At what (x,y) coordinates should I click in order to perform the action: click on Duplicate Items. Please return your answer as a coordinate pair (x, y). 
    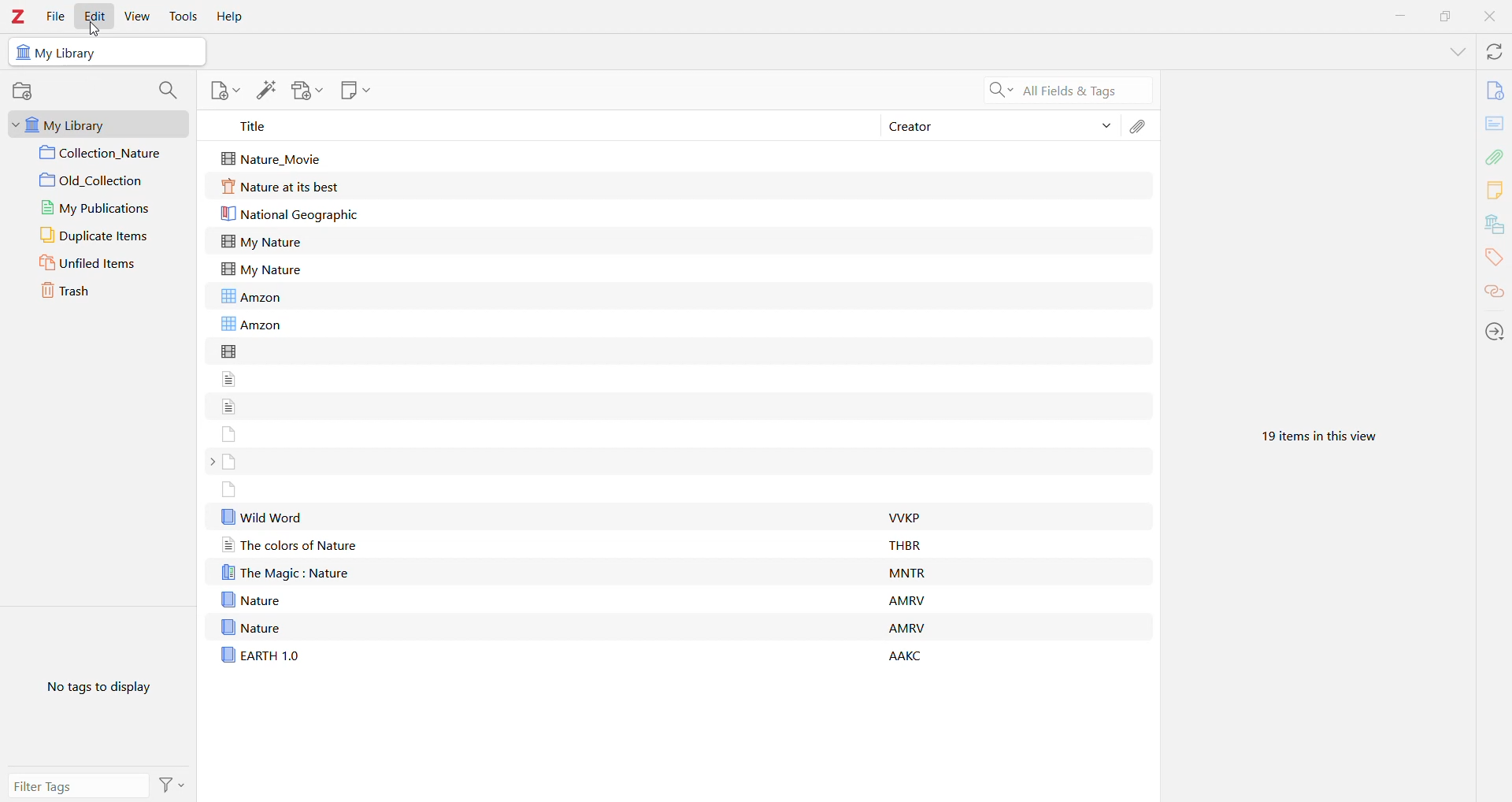
    Looking at the image, I should click on (104, 236).